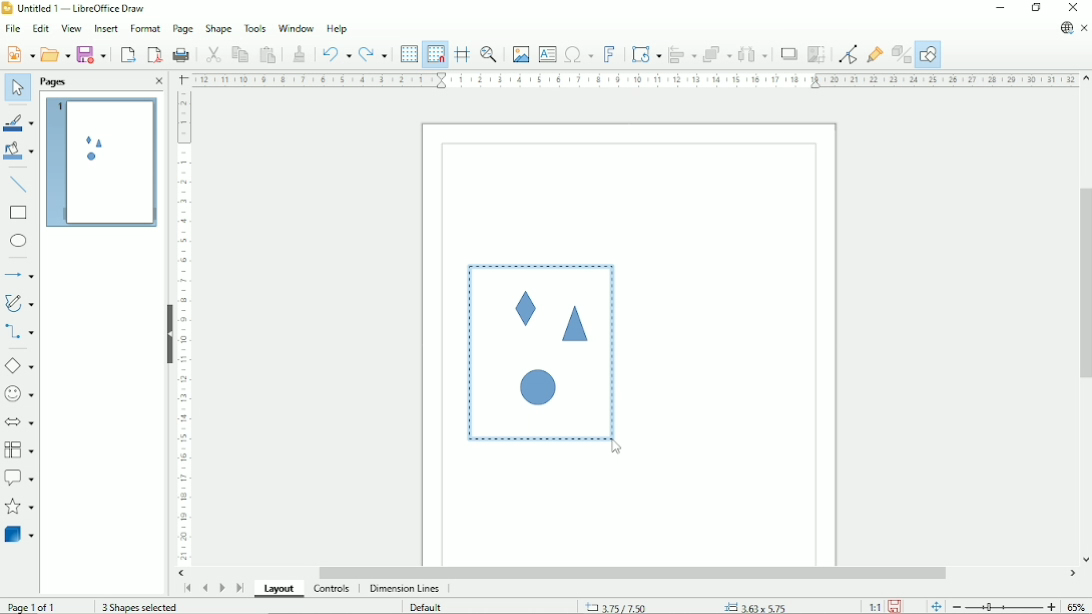  I want to click on Horizontal scale, so click(634, 80).